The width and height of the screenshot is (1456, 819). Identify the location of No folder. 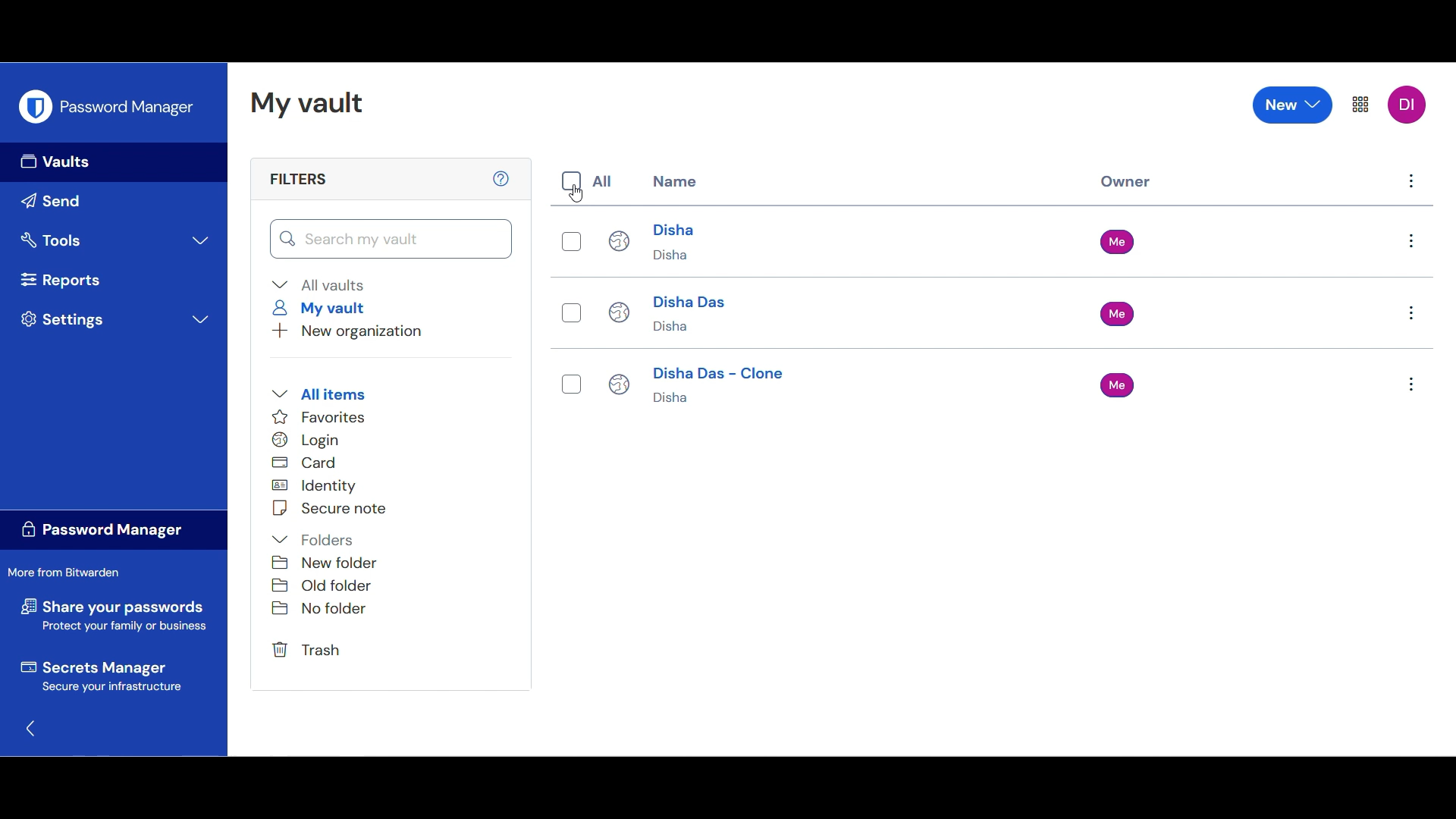
(317, 611).